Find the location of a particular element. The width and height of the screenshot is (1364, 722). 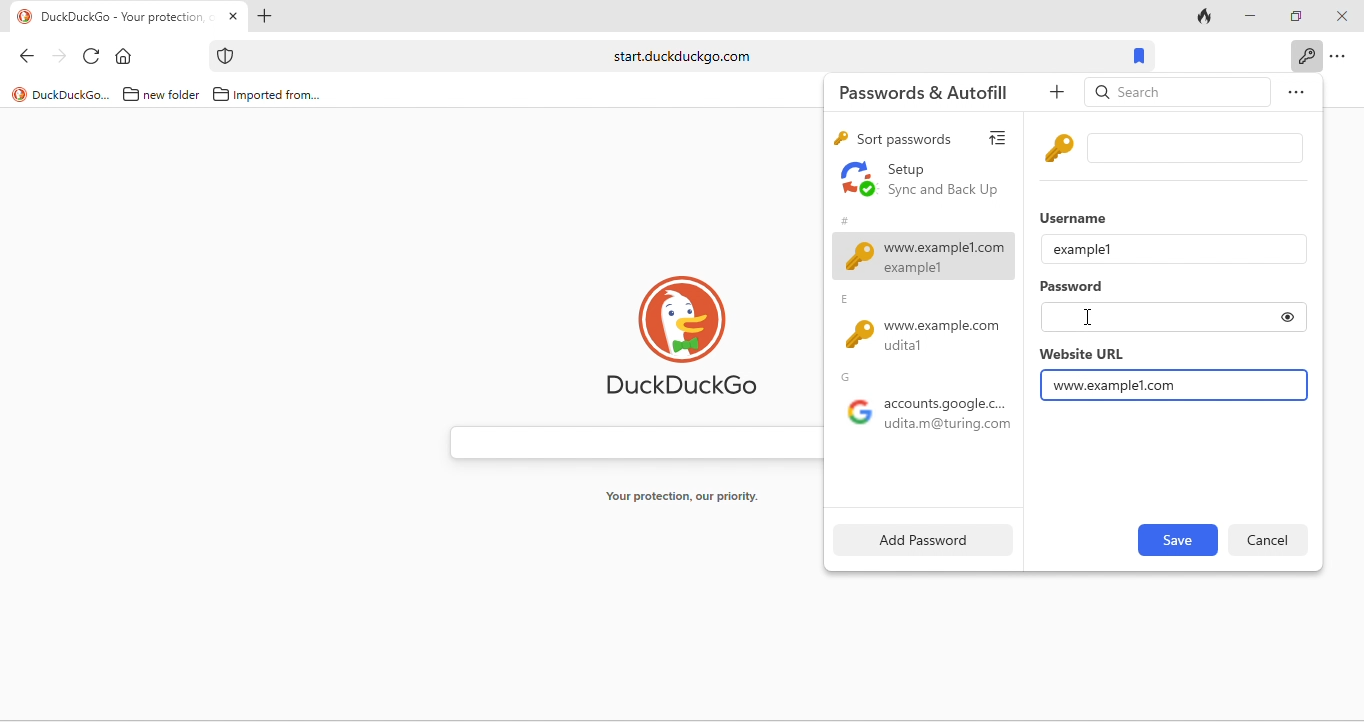

forward is located at coordinates (56, 54).